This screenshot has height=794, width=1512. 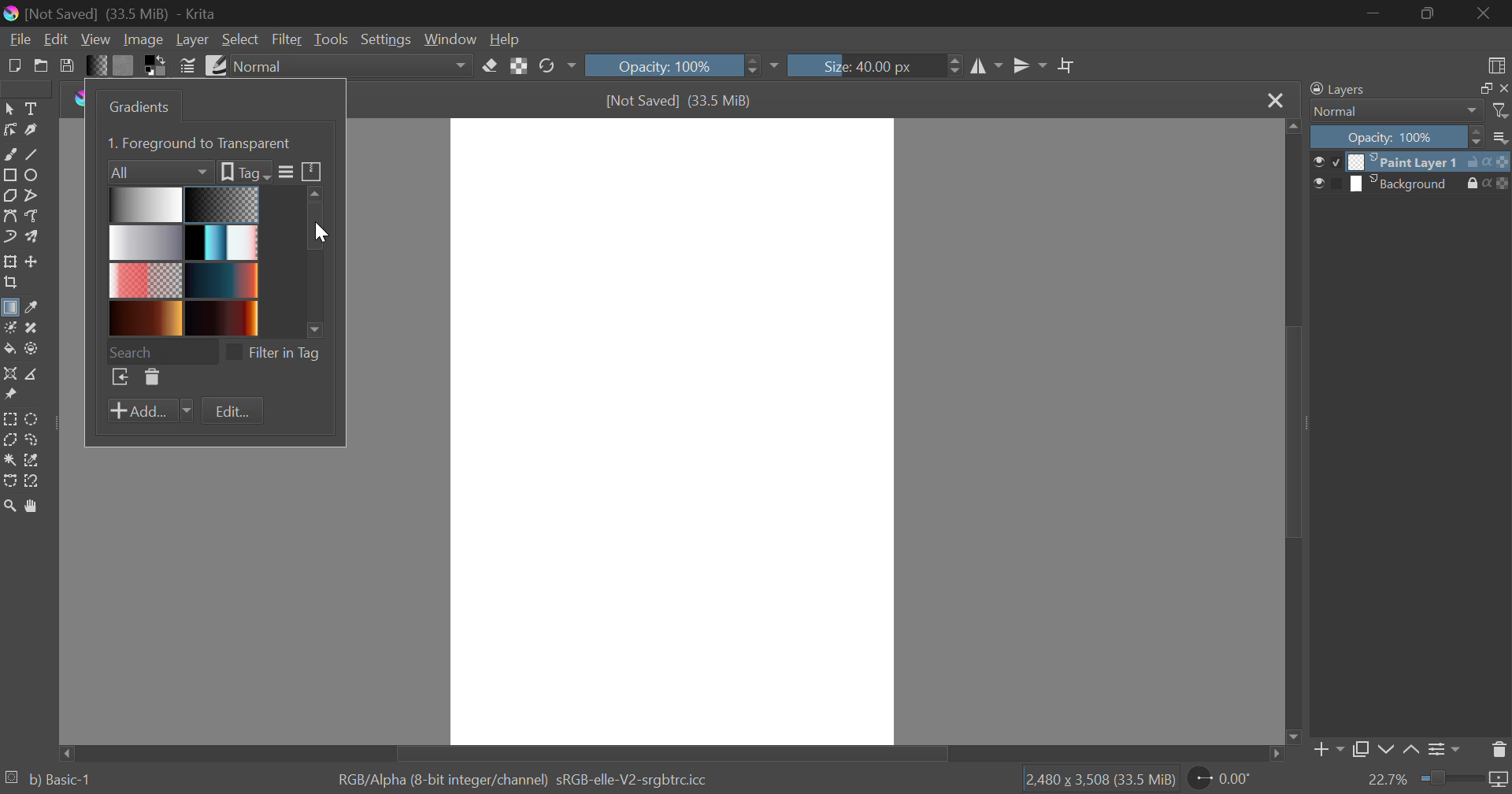 What do you see at coordinates (1503, 184) in the screenshot?
I see `icon` at bounding box center [1503, 184].